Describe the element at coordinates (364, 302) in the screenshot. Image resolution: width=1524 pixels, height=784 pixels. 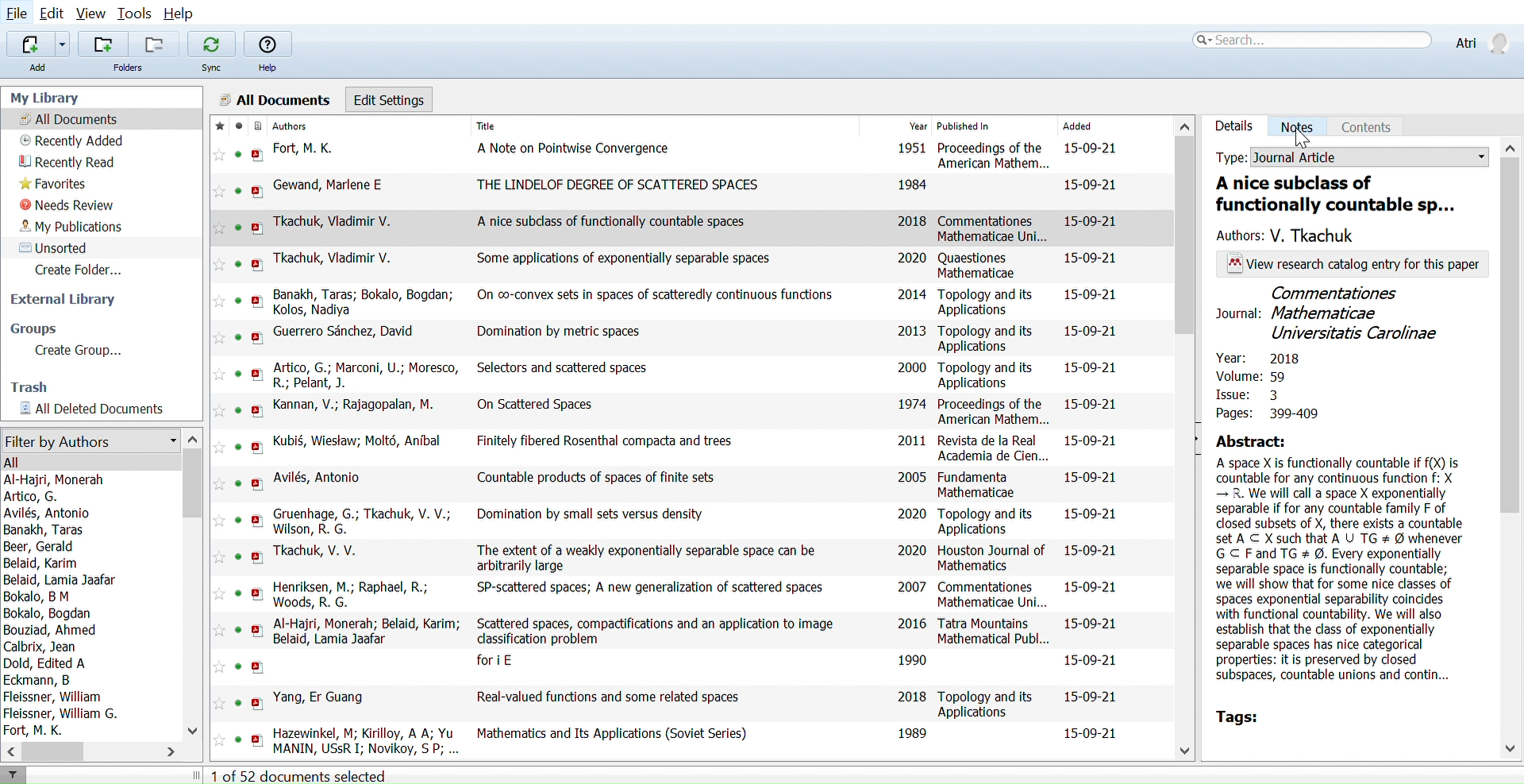
I see `Banakh, Taras; Bokalo, Bogdan; Kolos, Nadiya` at that location.